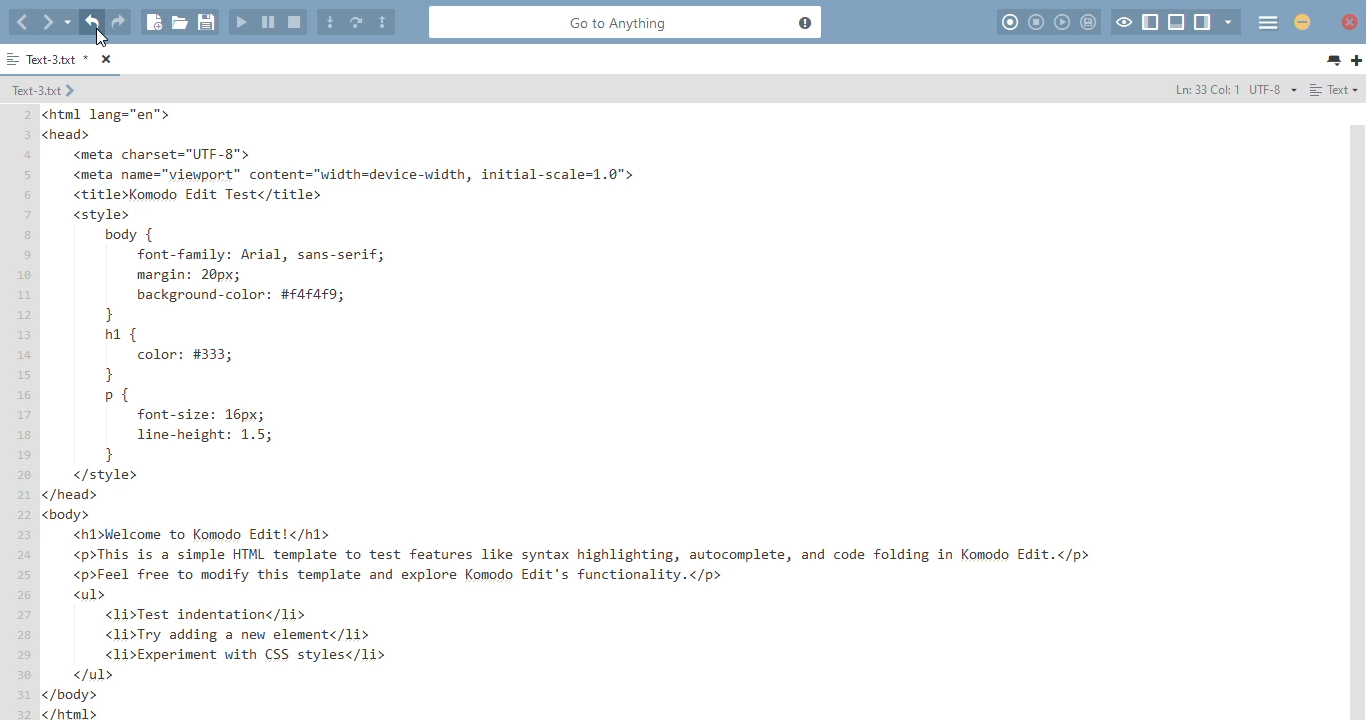  I want to click on minimize, so click(1302, 22).